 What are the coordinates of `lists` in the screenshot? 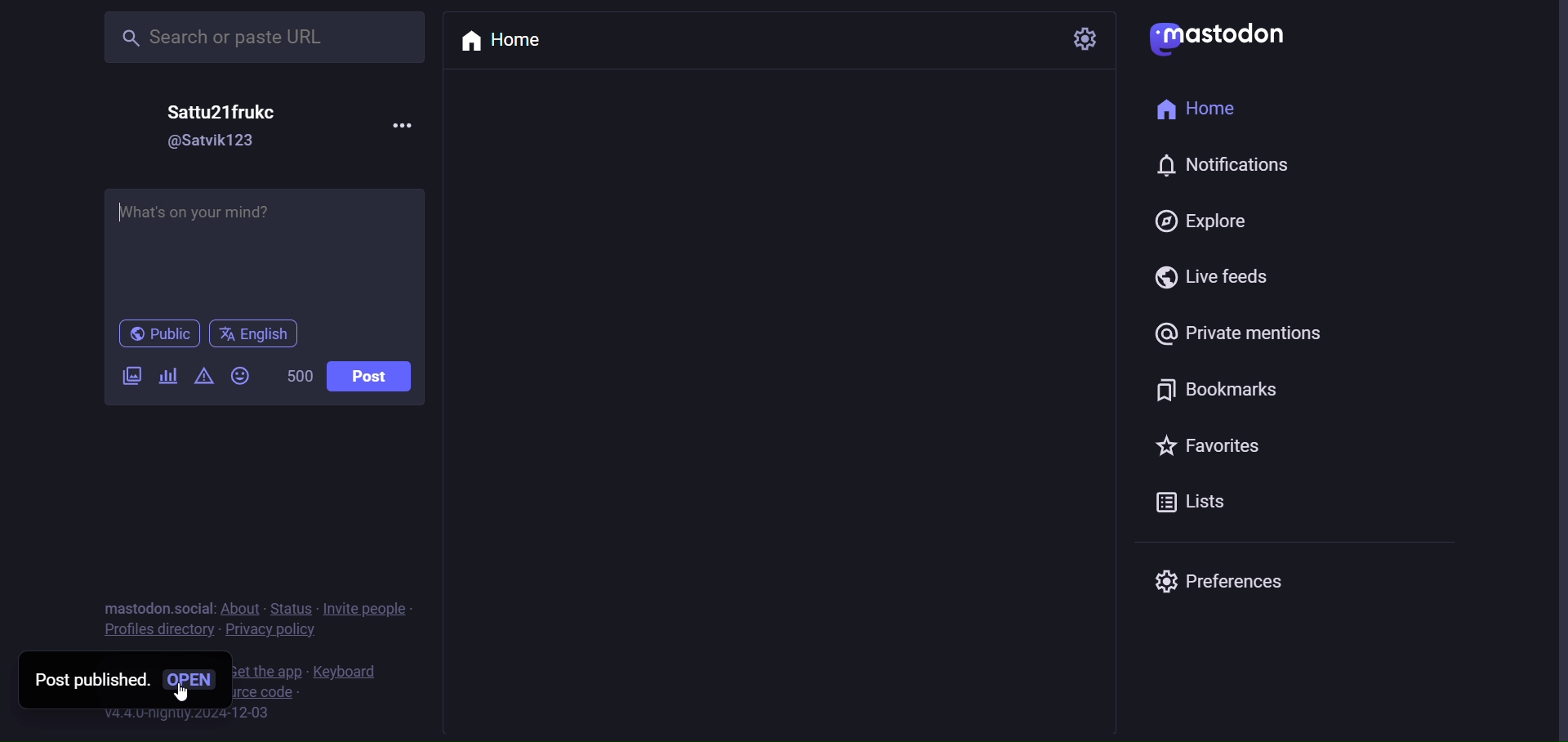 It's located at (1192, 500).